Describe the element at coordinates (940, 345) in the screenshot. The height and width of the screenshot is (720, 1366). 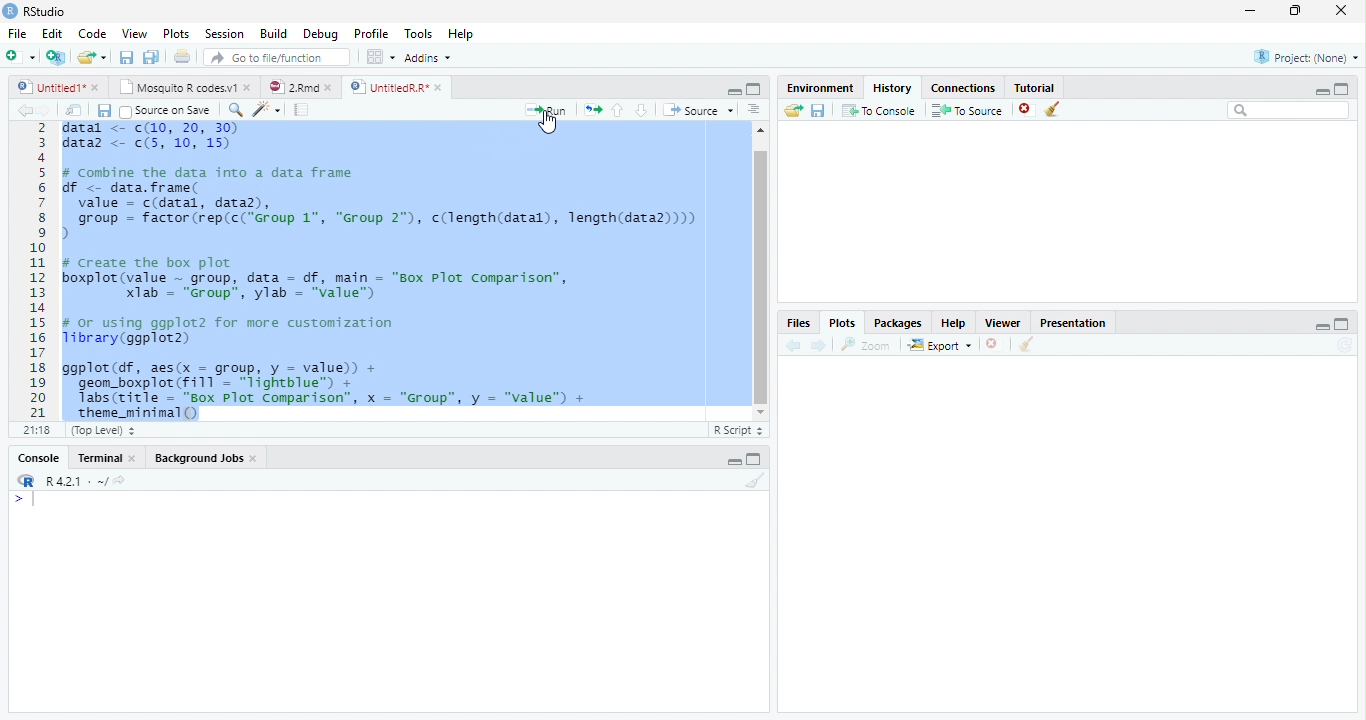
I see `Export` at that location.